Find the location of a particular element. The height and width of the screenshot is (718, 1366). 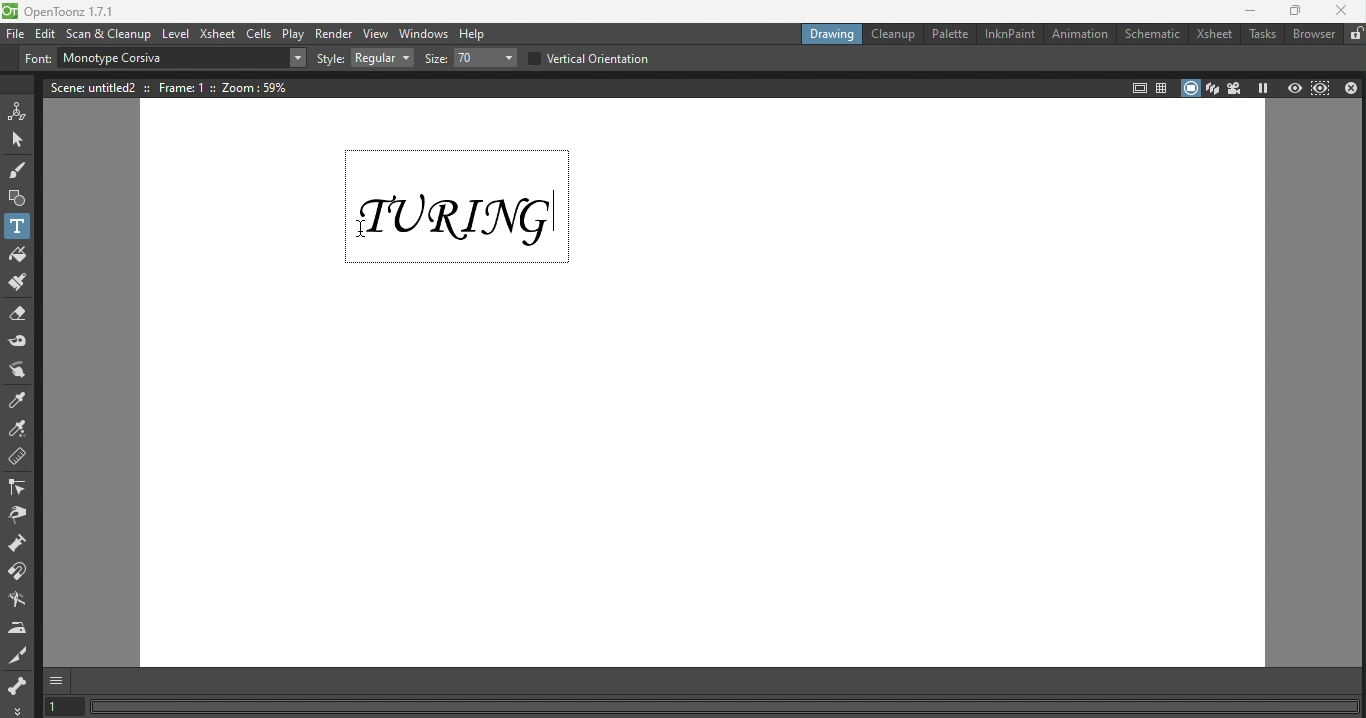

Animation is located at coordinates (1082, 34).